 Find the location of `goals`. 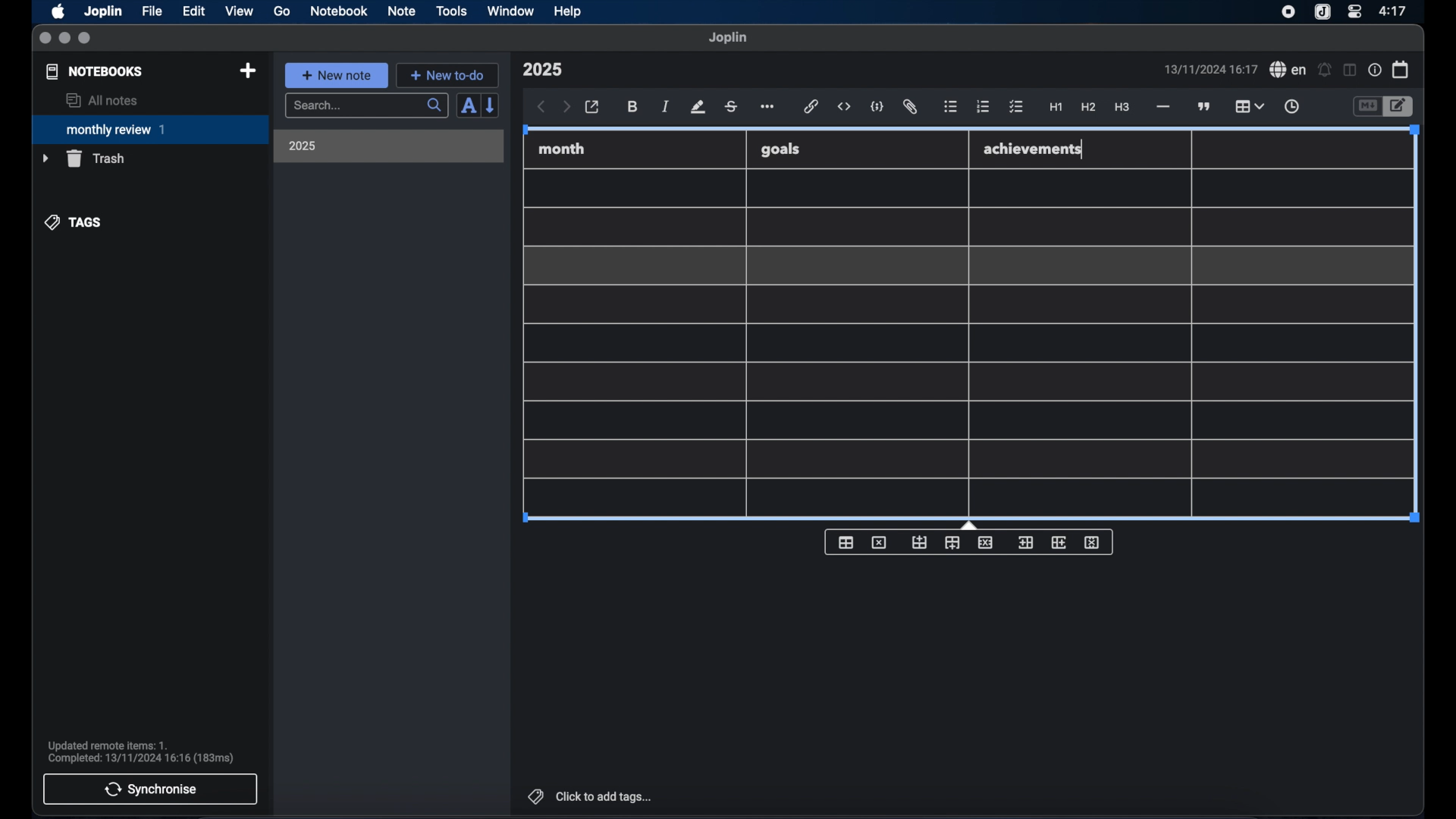

goals is located at coordinates (780, 149).